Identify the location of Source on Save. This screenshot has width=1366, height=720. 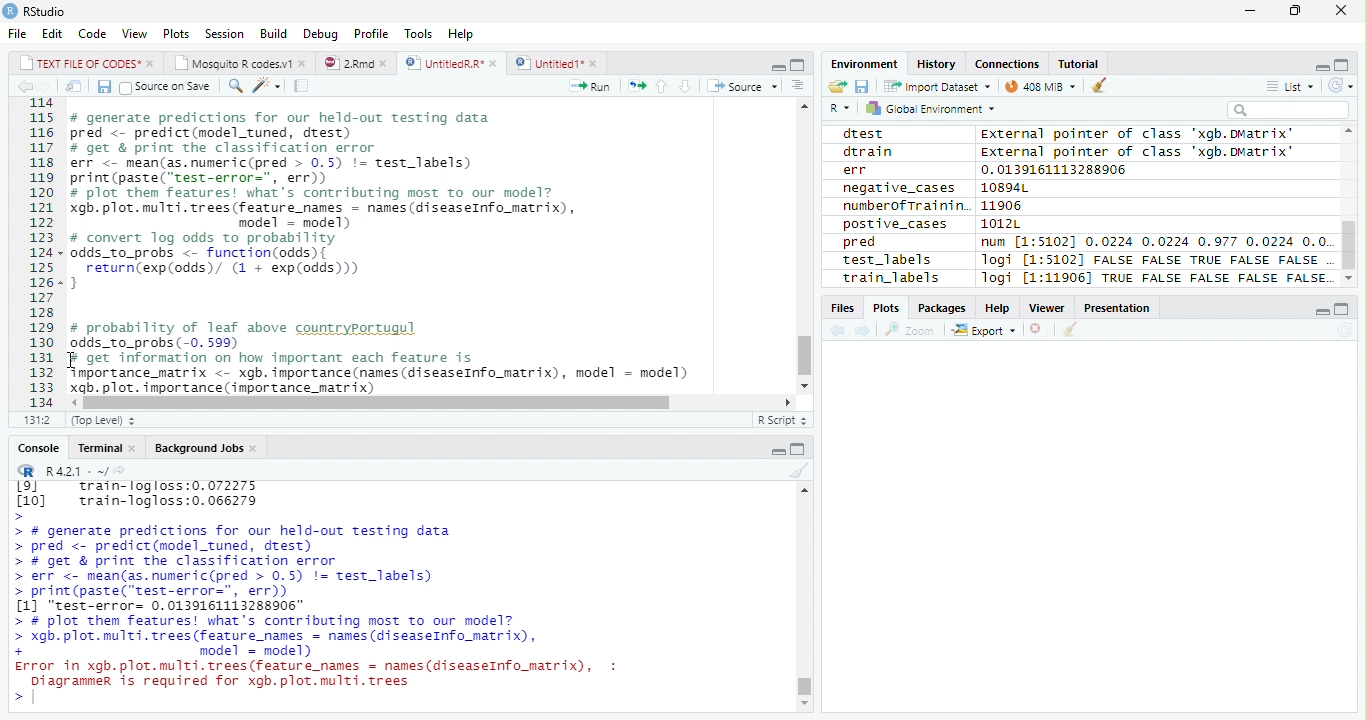
(164, 87).